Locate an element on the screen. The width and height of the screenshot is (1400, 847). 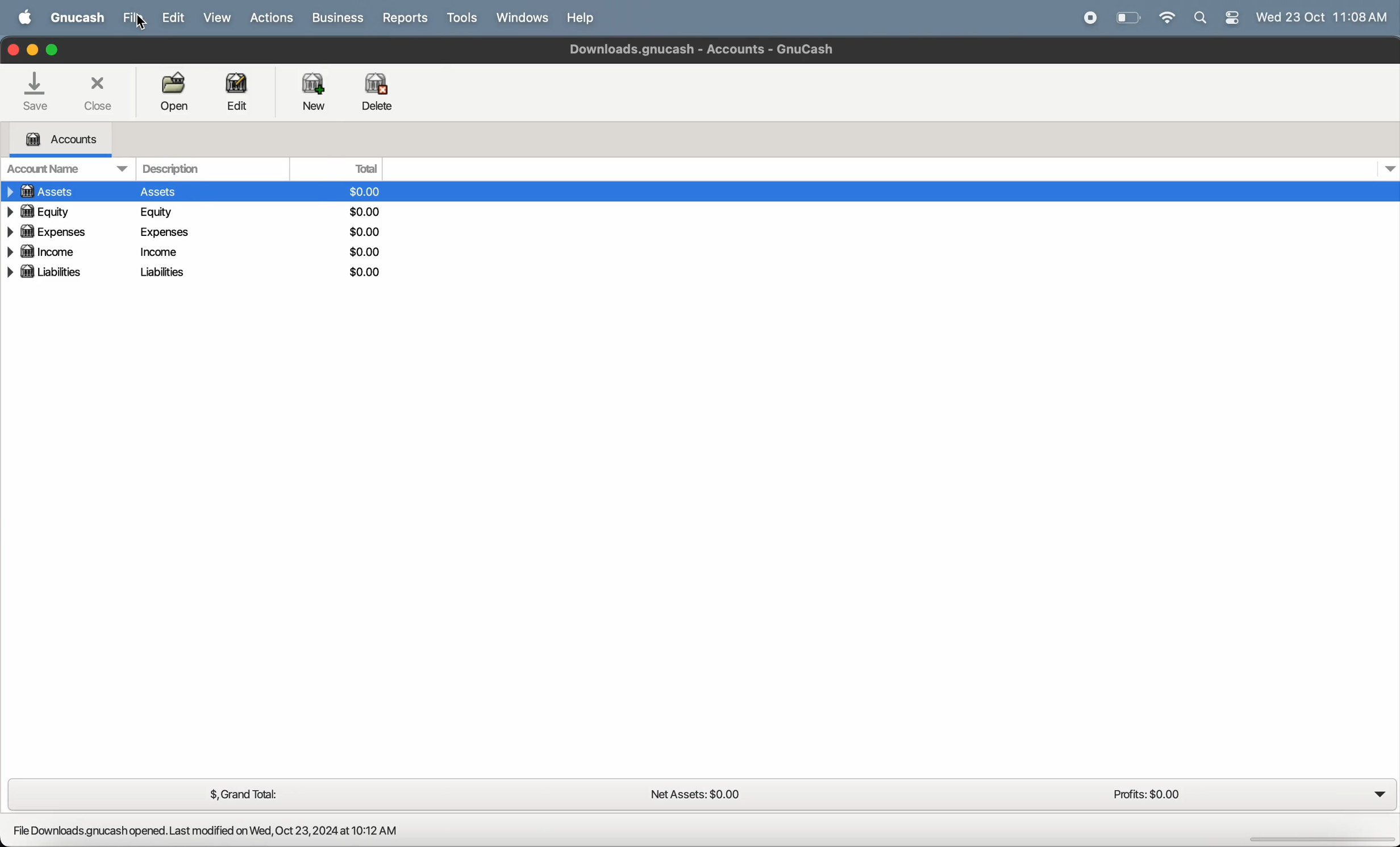
new is located at coordinates (309, 91).